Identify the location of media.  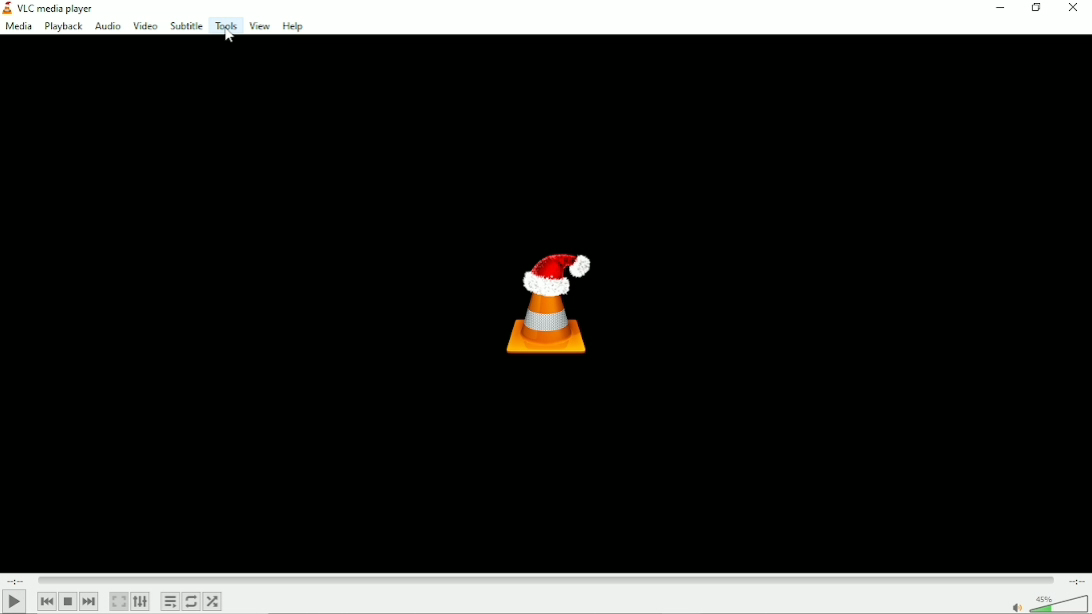
(20, 27).